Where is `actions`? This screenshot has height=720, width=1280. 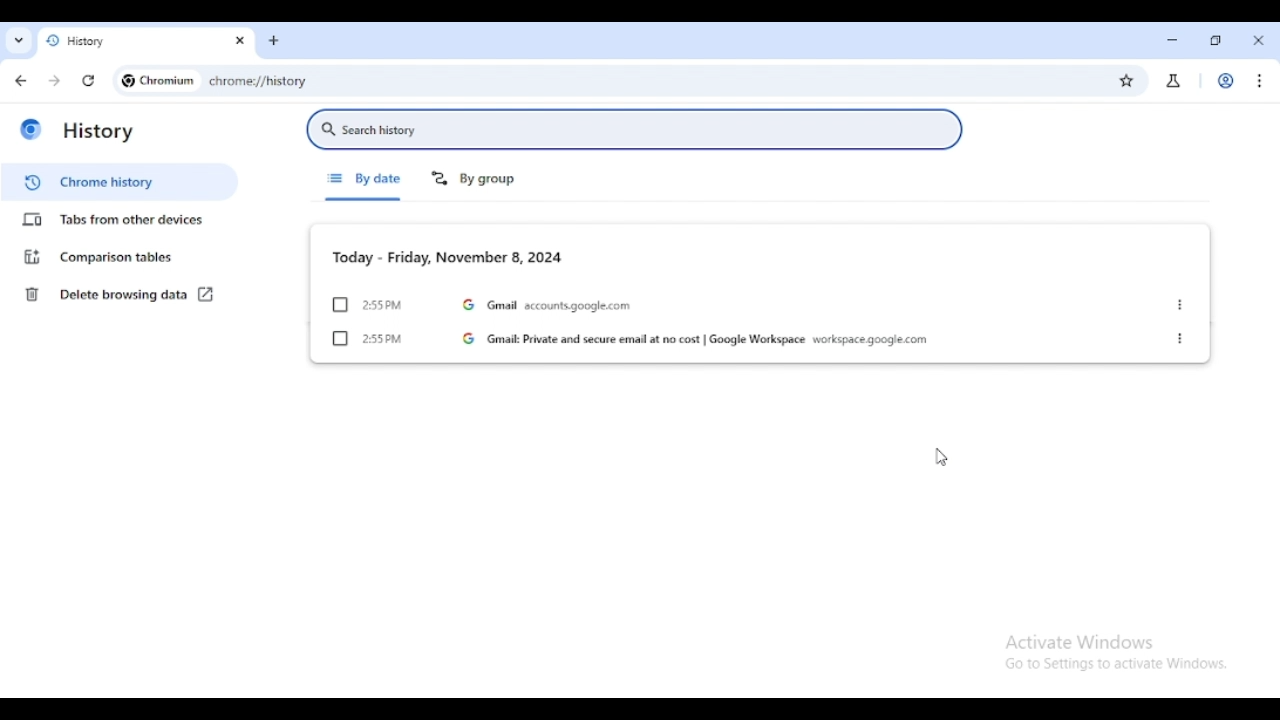 actions is located at coordinates (1180, 305).